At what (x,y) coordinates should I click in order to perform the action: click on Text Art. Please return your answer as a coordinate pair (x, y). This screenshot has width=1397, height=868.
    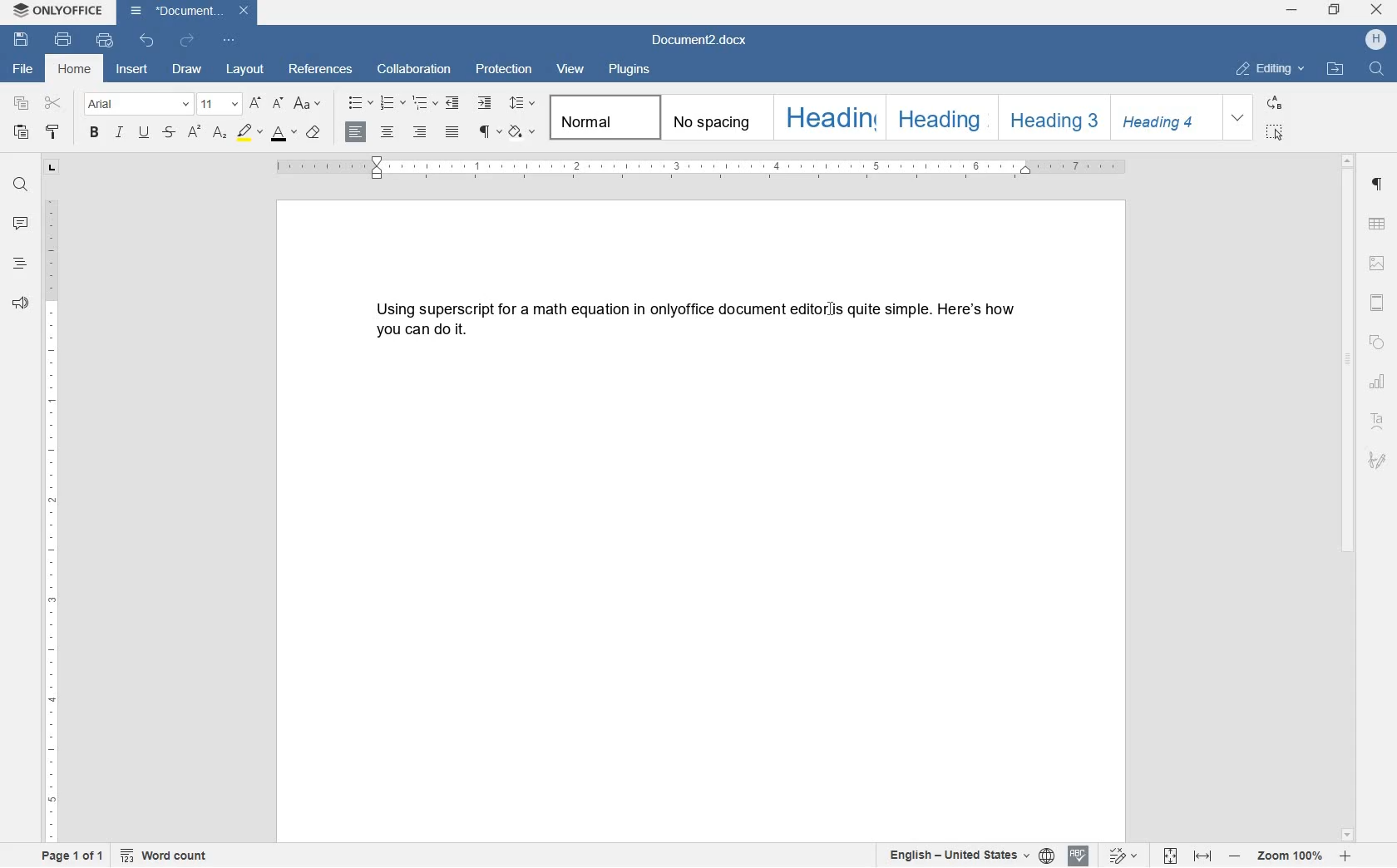
    Looking at the image, I should click on (1378, 422).